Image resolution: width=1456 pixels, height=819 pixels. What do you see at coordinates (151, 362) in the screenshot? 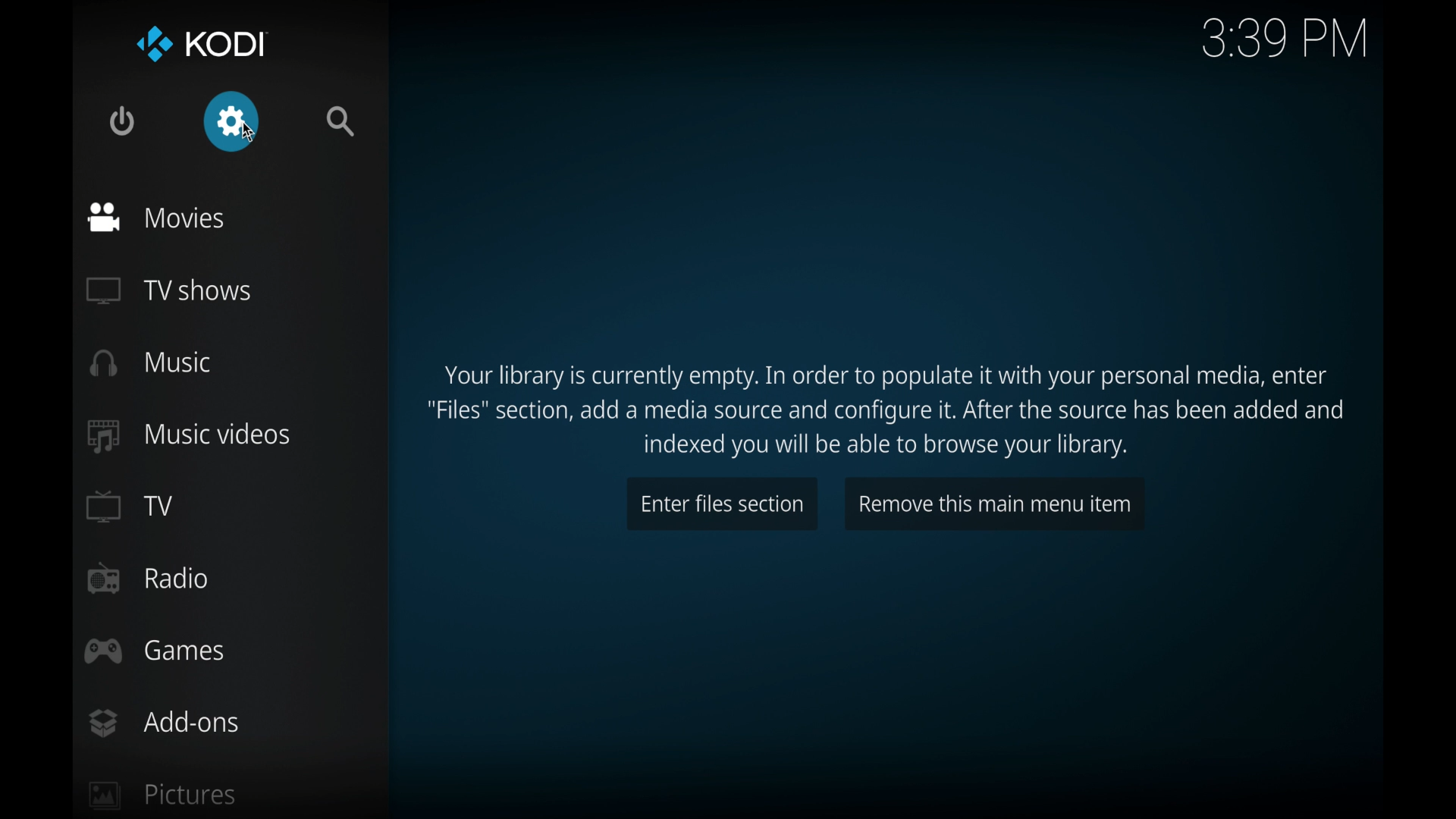
I see `music` at bounding box center [151, 362].